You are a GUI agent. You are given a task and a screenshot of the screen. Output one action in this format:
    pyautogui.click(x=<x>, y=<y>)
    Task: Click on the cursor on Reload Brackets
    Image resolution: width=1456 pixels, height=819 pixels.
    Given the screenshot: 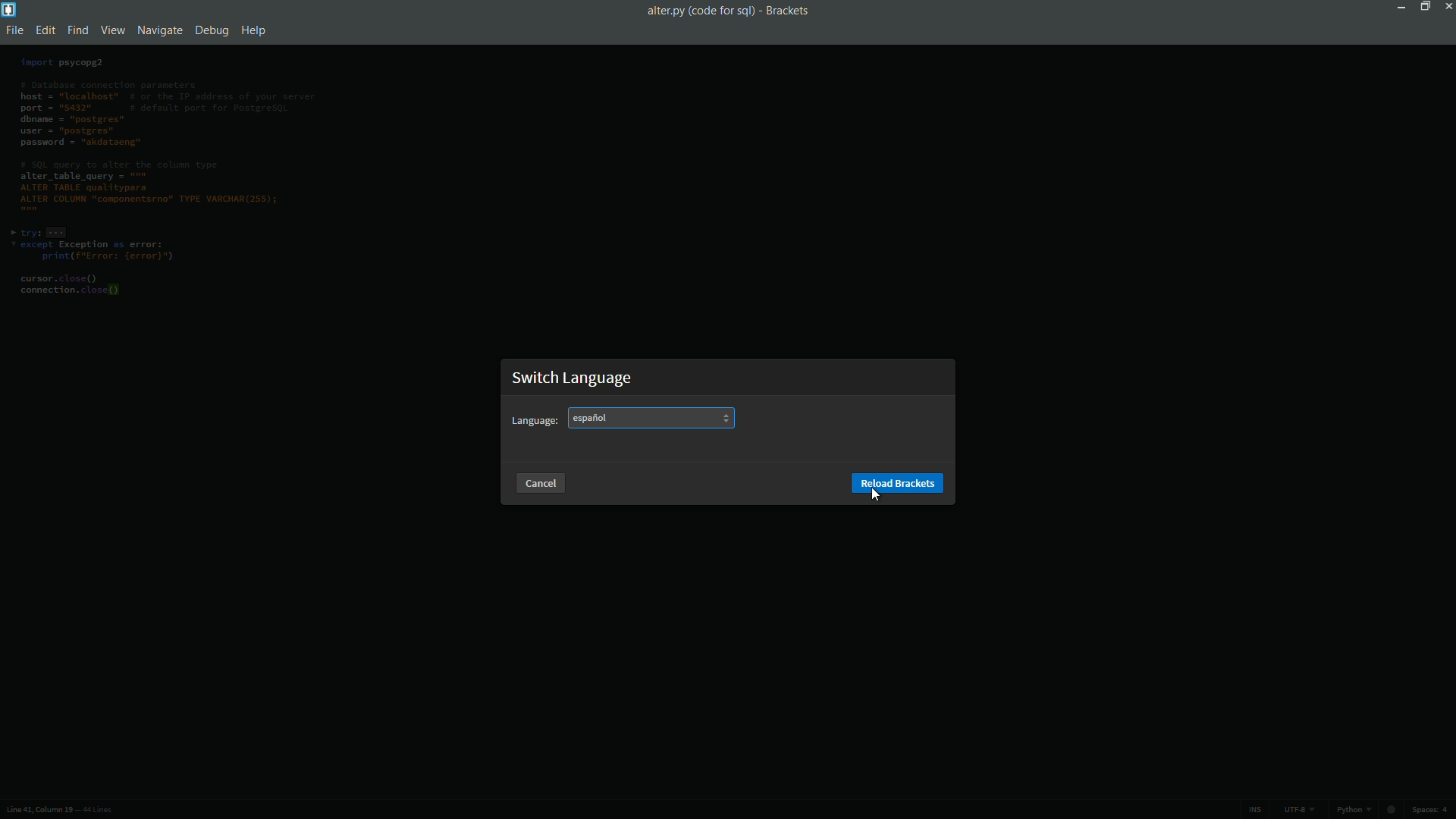 What is the action you would take?
    pyautogui.click(x=877, y=493)
    